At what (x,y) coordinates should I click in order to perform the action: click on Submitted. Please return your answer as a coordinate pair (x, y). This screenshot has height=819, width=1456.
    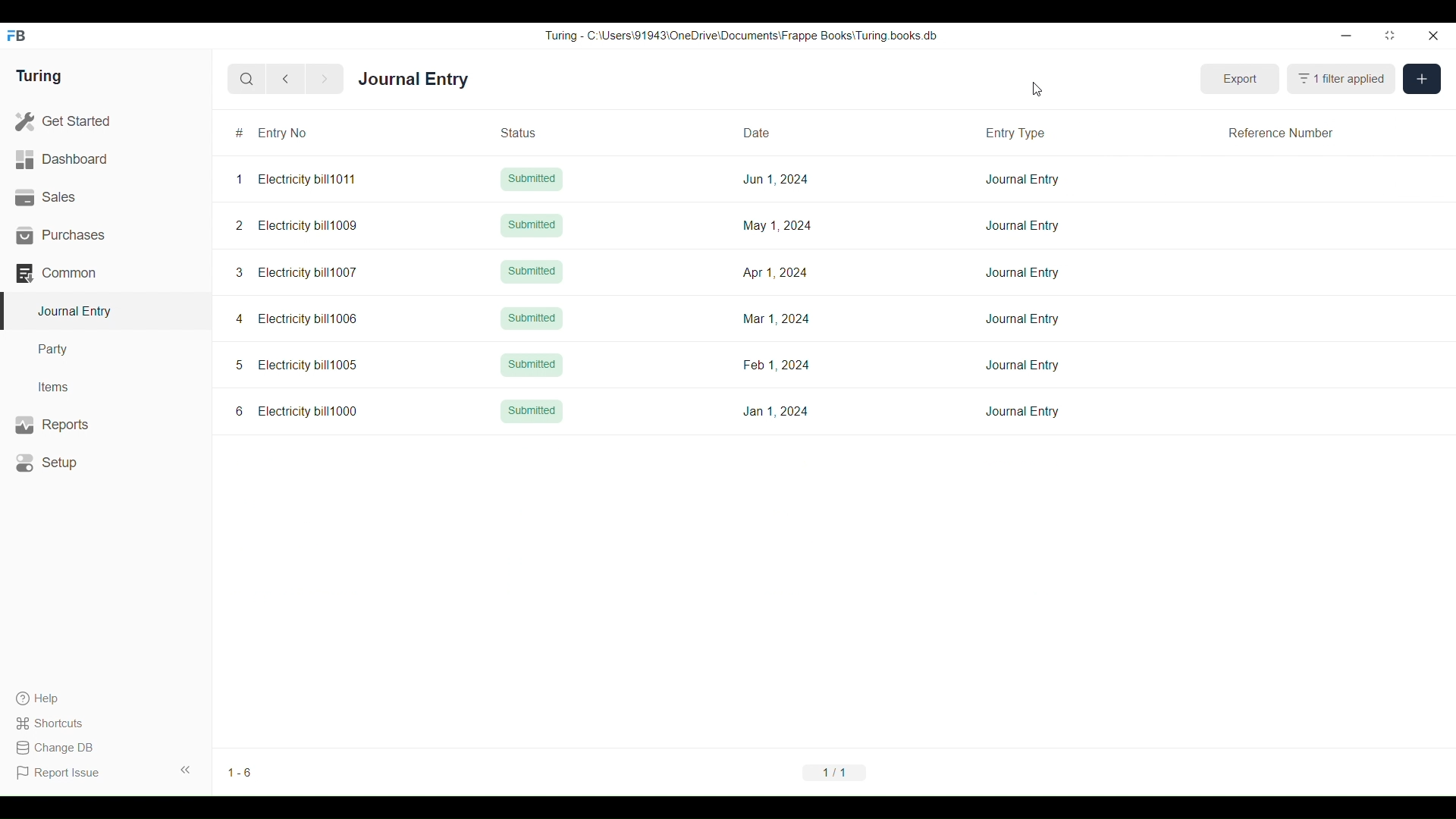
    Looking at the image, I should click on (532, 272).